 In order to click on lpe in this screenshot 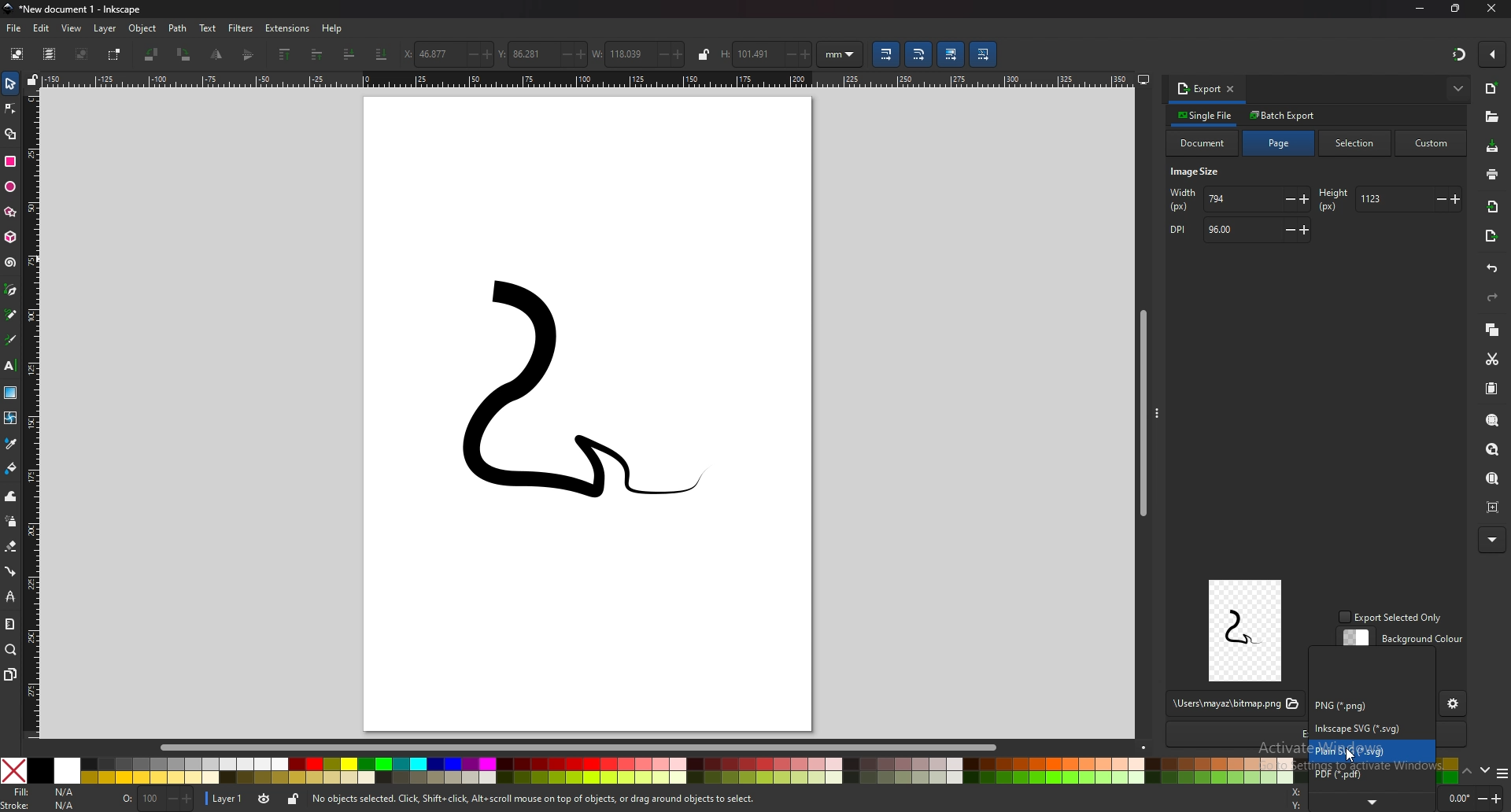, I will do `click(9, 596)`.